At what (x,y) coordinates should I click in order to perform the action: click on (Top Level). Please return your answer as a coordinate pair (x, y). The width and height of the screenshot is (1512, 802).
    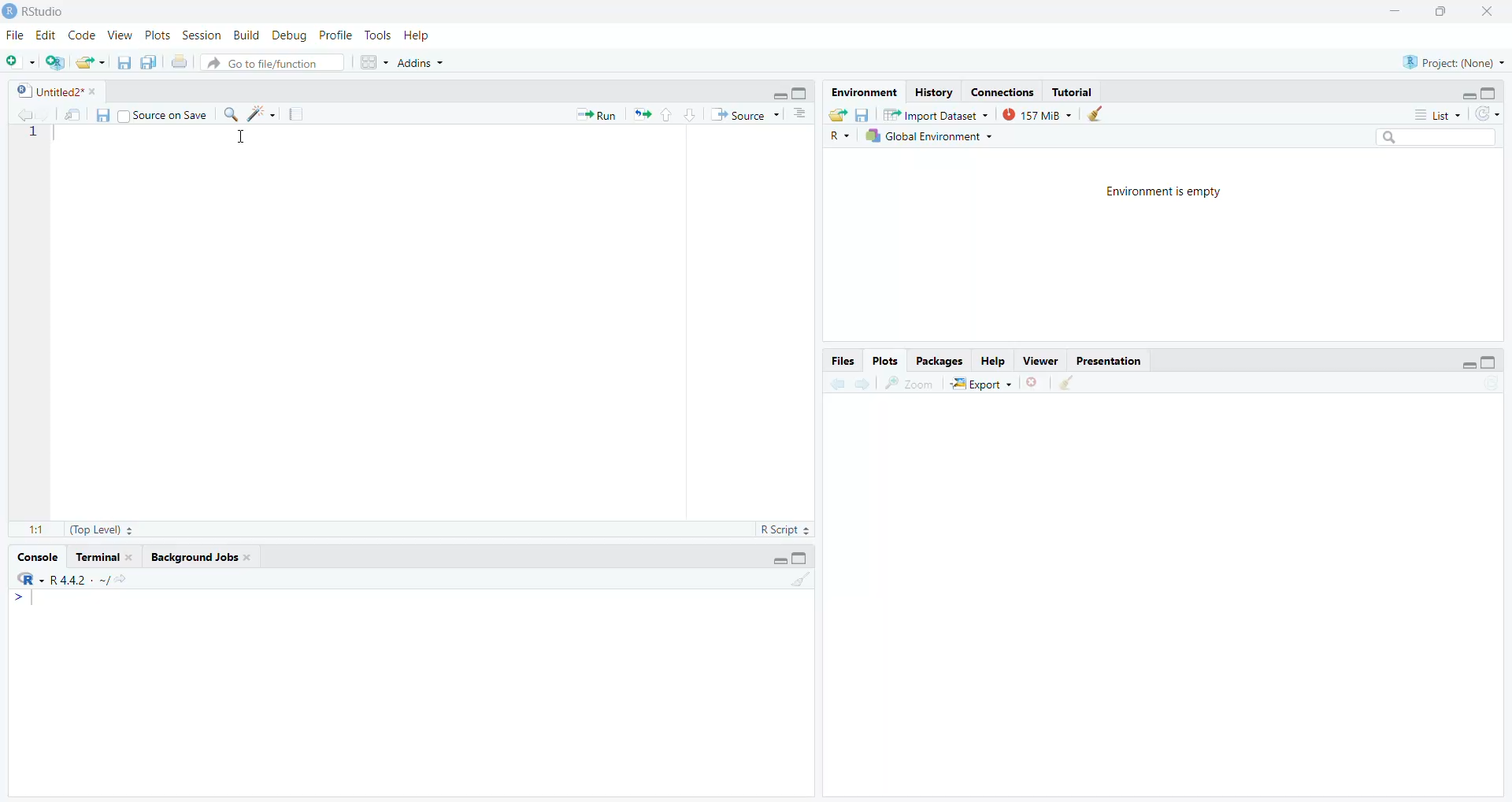
    Looking at the image, I should click on (101, 529).